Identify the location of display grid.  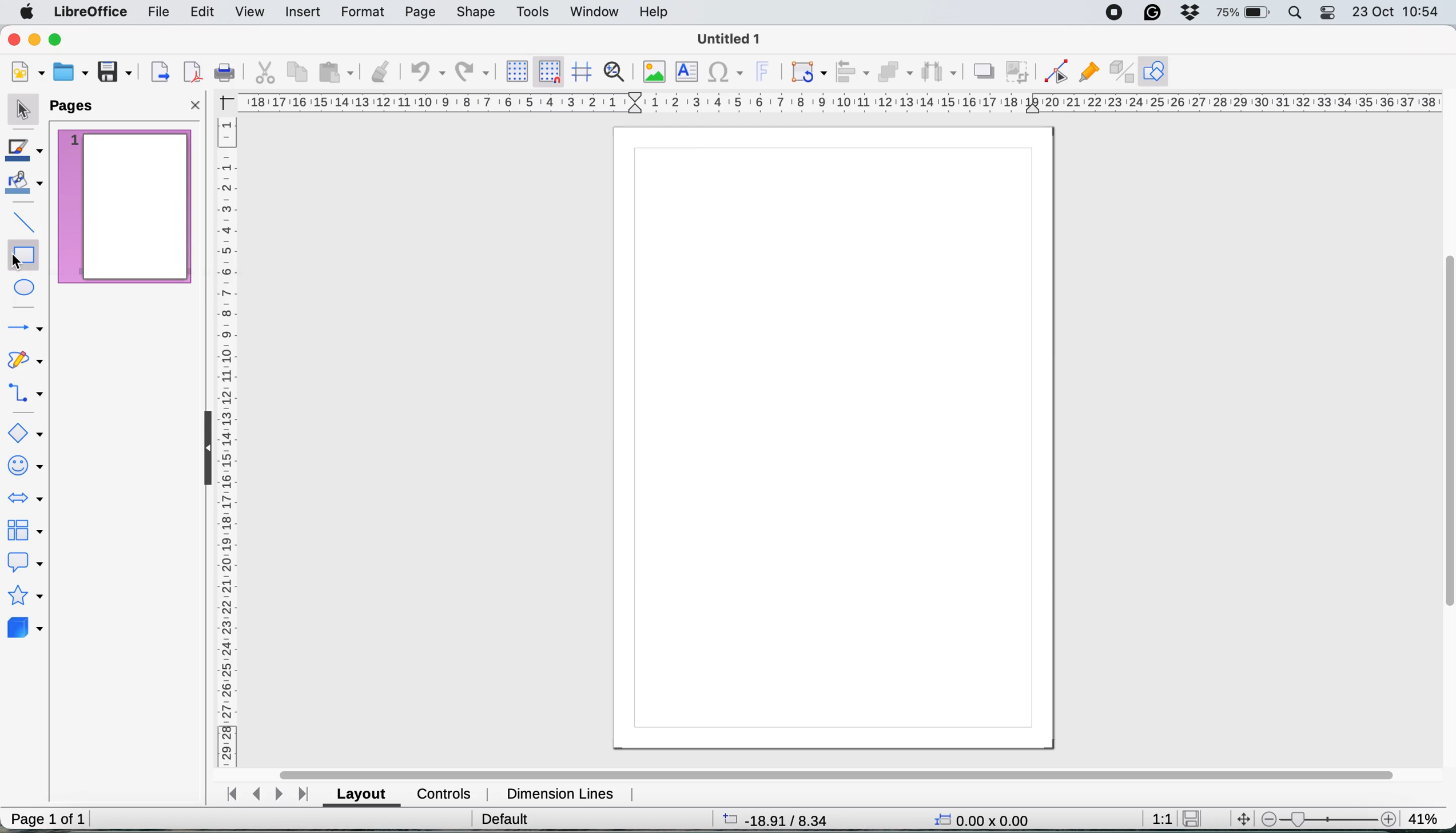
(517, 70).